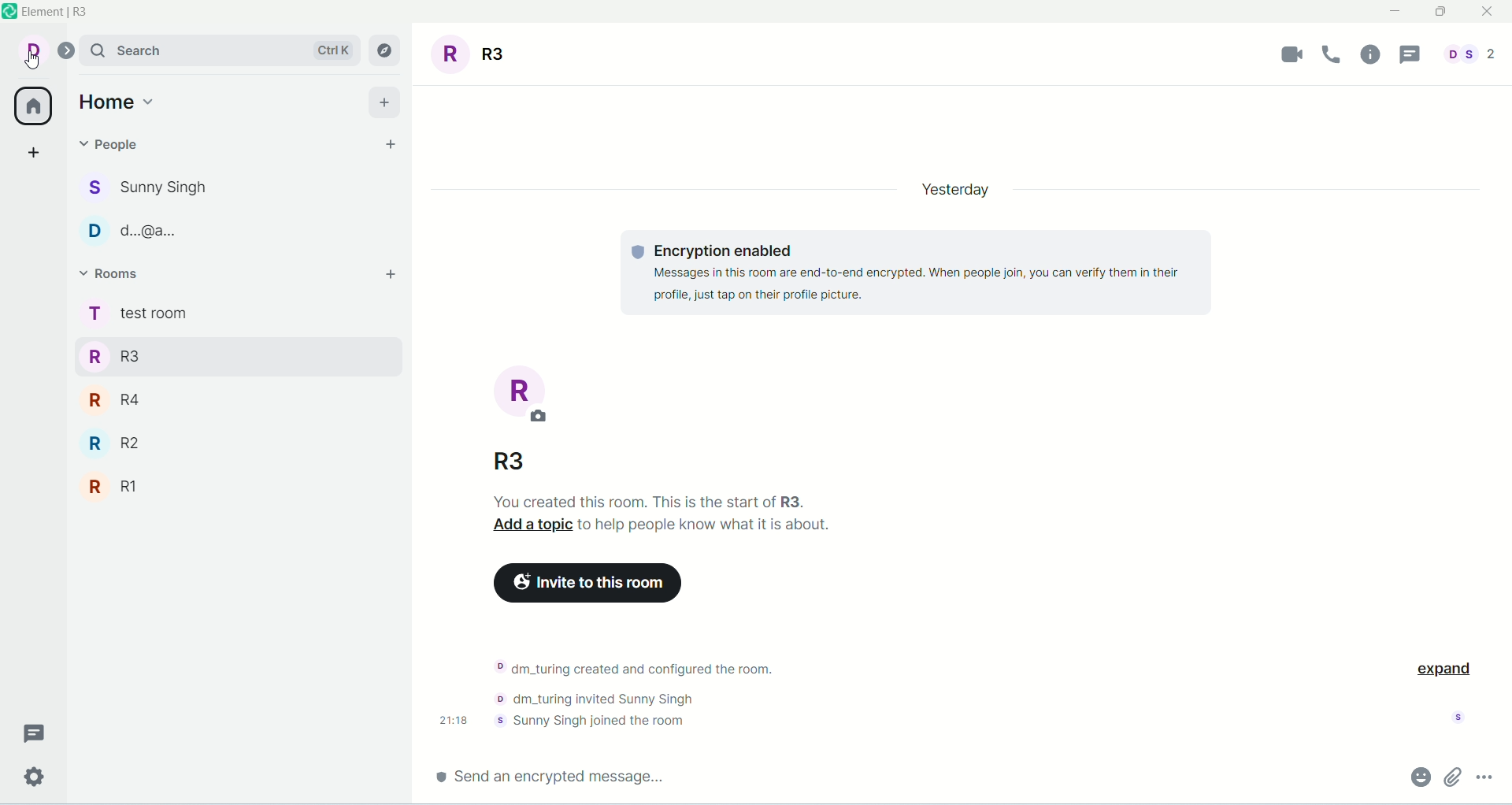 This screenshot has height=805, width=1512. I want to click on text, so click(921, 273).